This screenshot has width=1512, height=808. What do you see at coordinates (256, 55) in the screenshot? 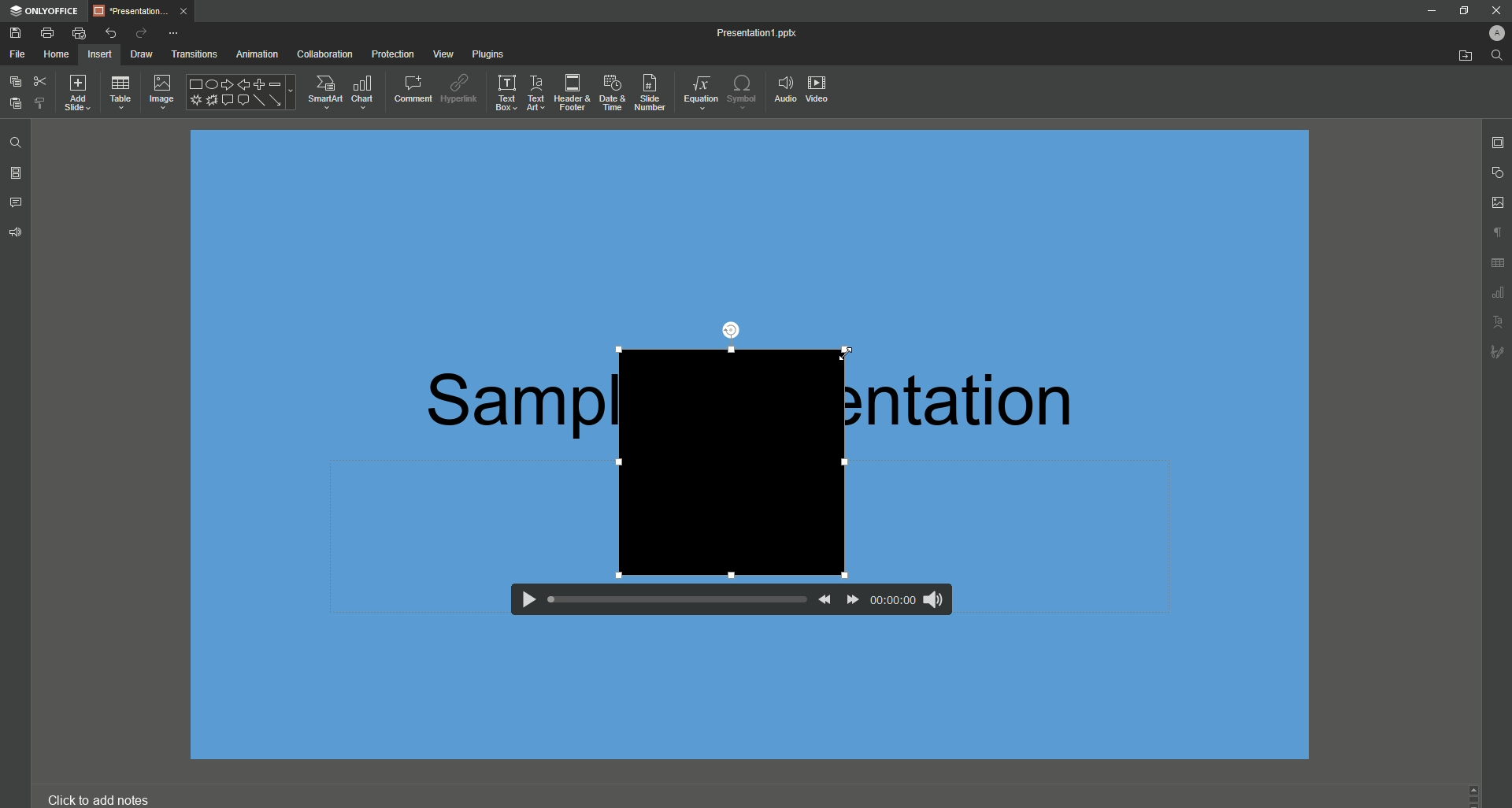
I see `Animation` at bounding box center [256, 55].